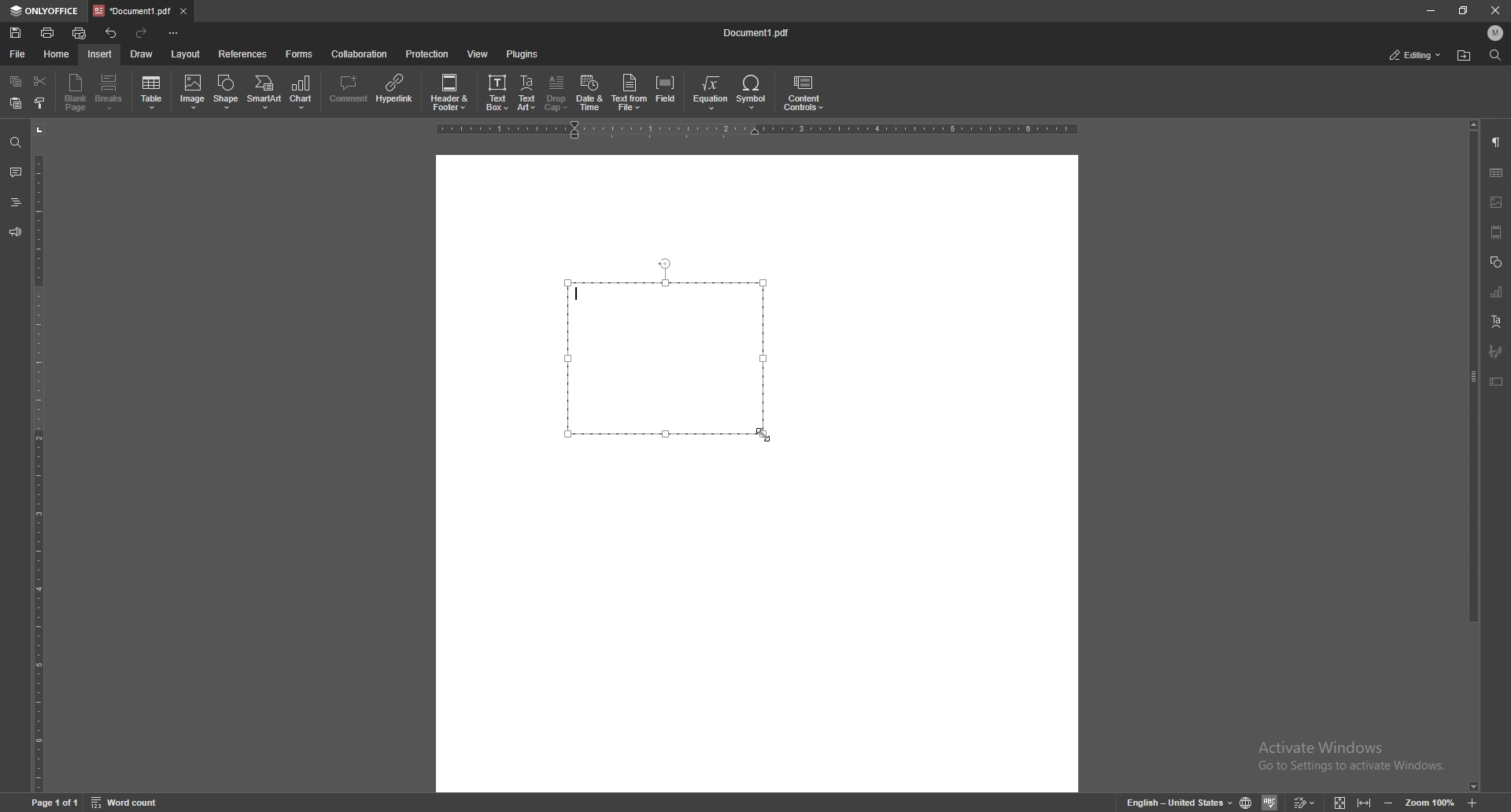 The image size is (1511, 812). What do you see at coordinates (1472, 456) in the screenshot?
I see `scroll bar` at bounding box center [1472, 456].